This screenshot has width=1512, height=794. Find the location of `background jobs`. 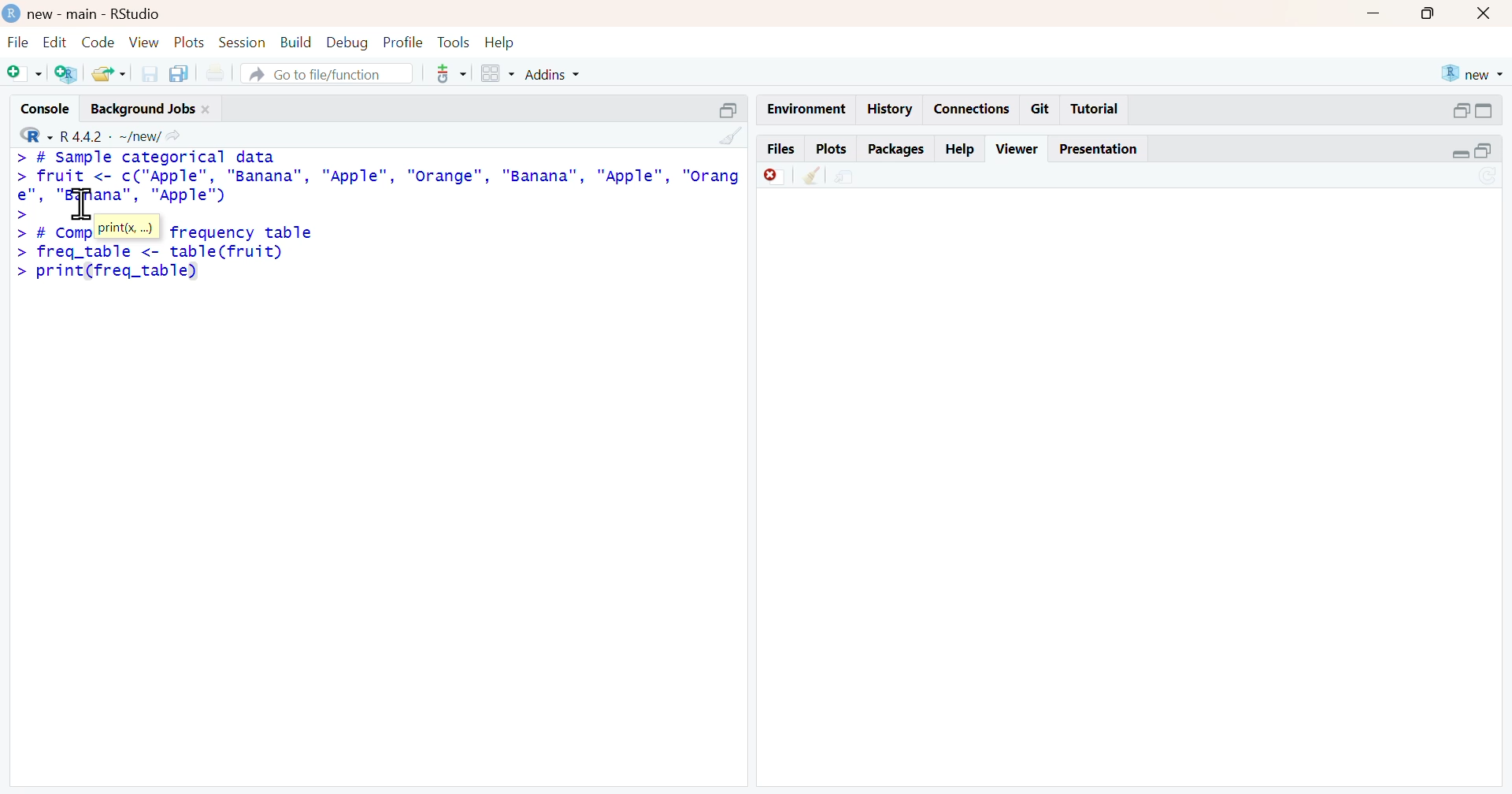

background jobs is located at coordinates (150, 110).